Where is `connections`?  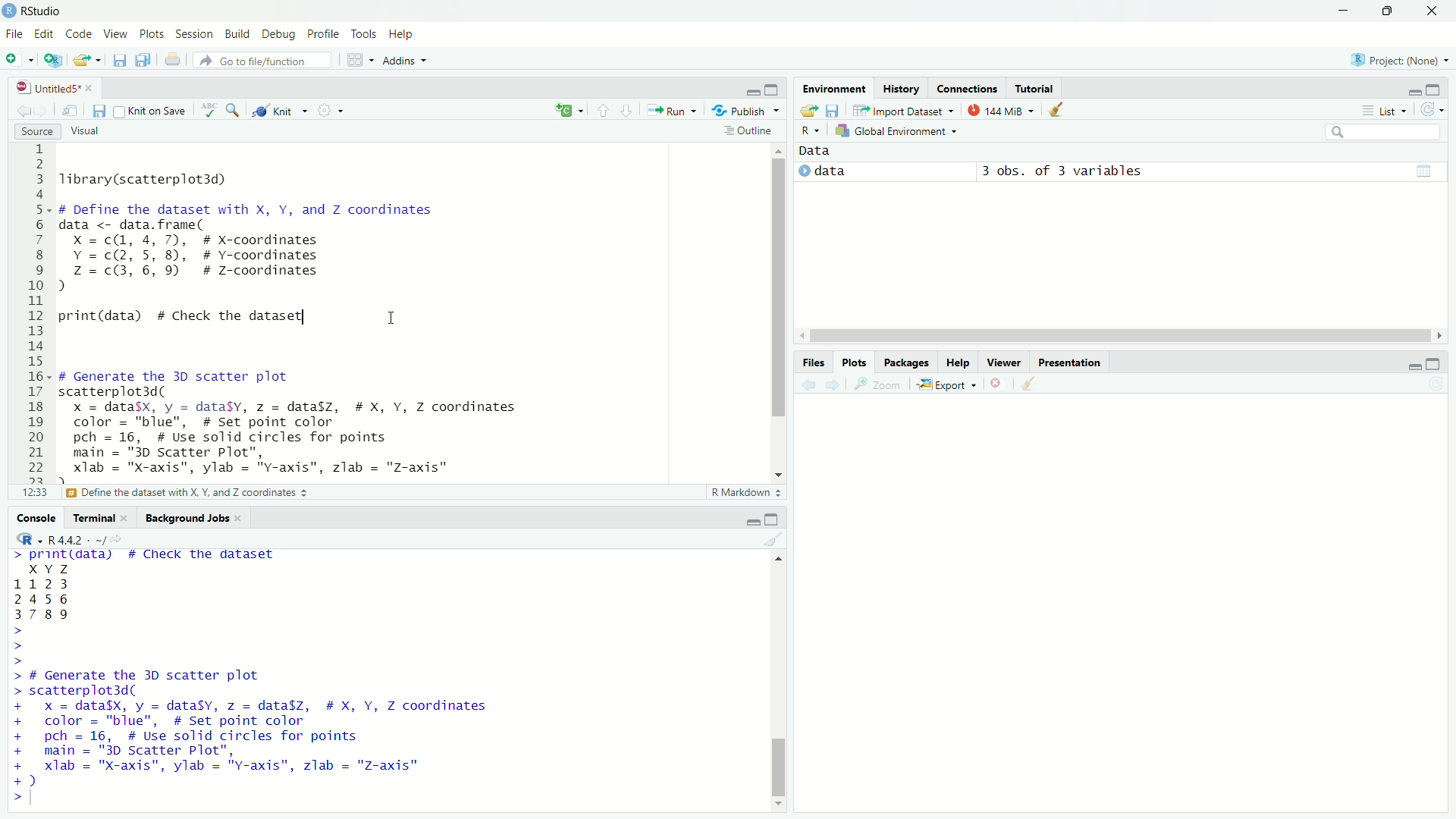
connections is located at coordinates (968, 86).